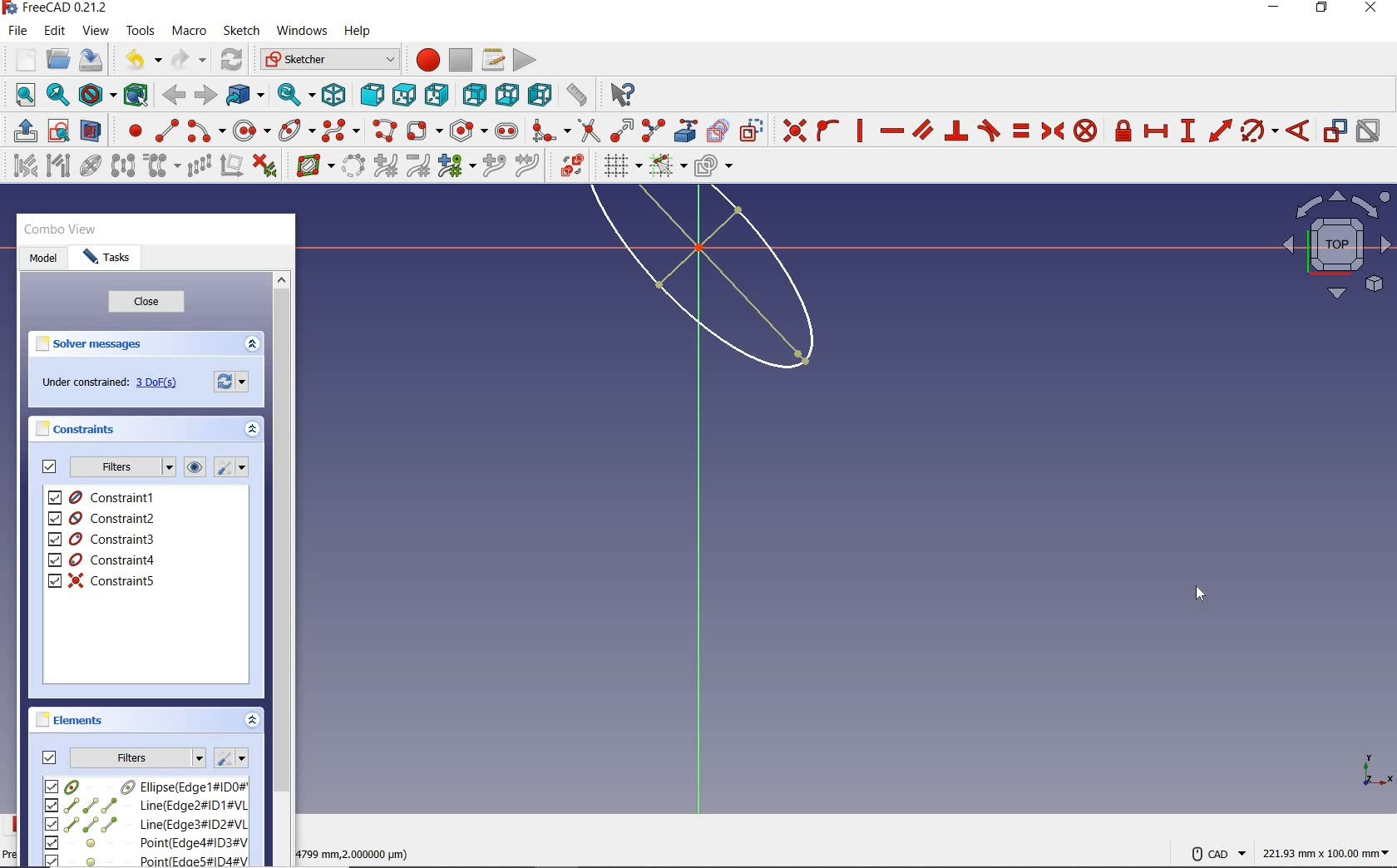  What do you see at coordinates (199, 167) in the screenshot?
I see `rectangular array` at bounding box center [199, 167].